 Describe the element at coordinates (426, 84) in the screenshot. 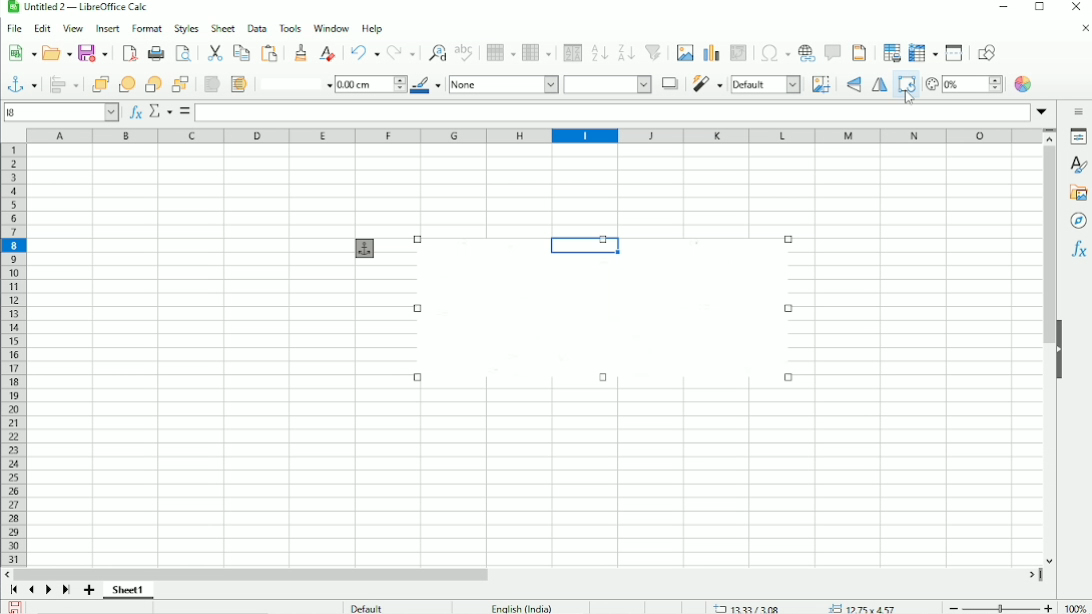

I see `Line color` at that location.